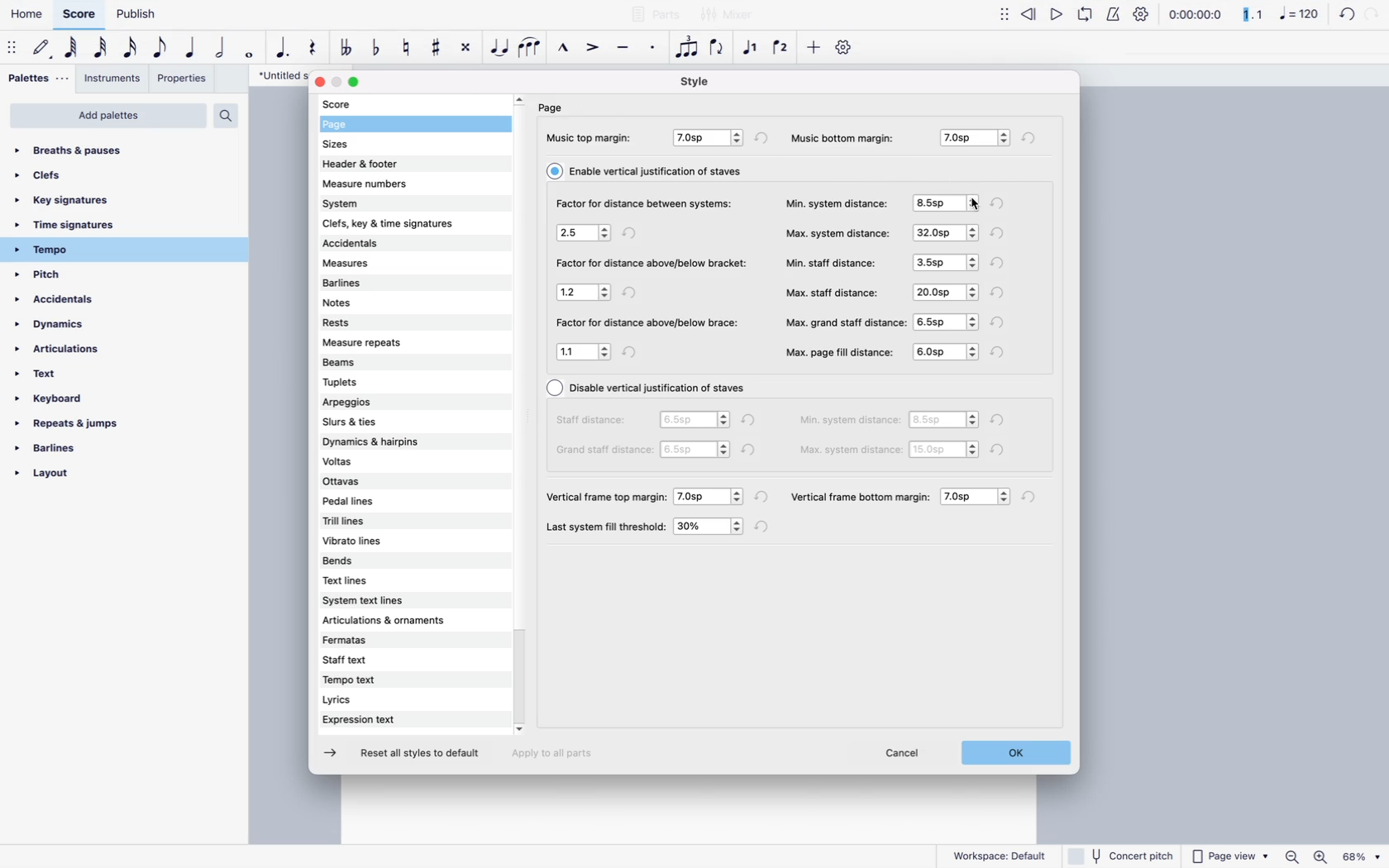 The height and width of the screenshot is (868, 1389). What do you see at coordinates (968, 198) in the screenshot?
I see `cursor` at bounding box center [968, 198].